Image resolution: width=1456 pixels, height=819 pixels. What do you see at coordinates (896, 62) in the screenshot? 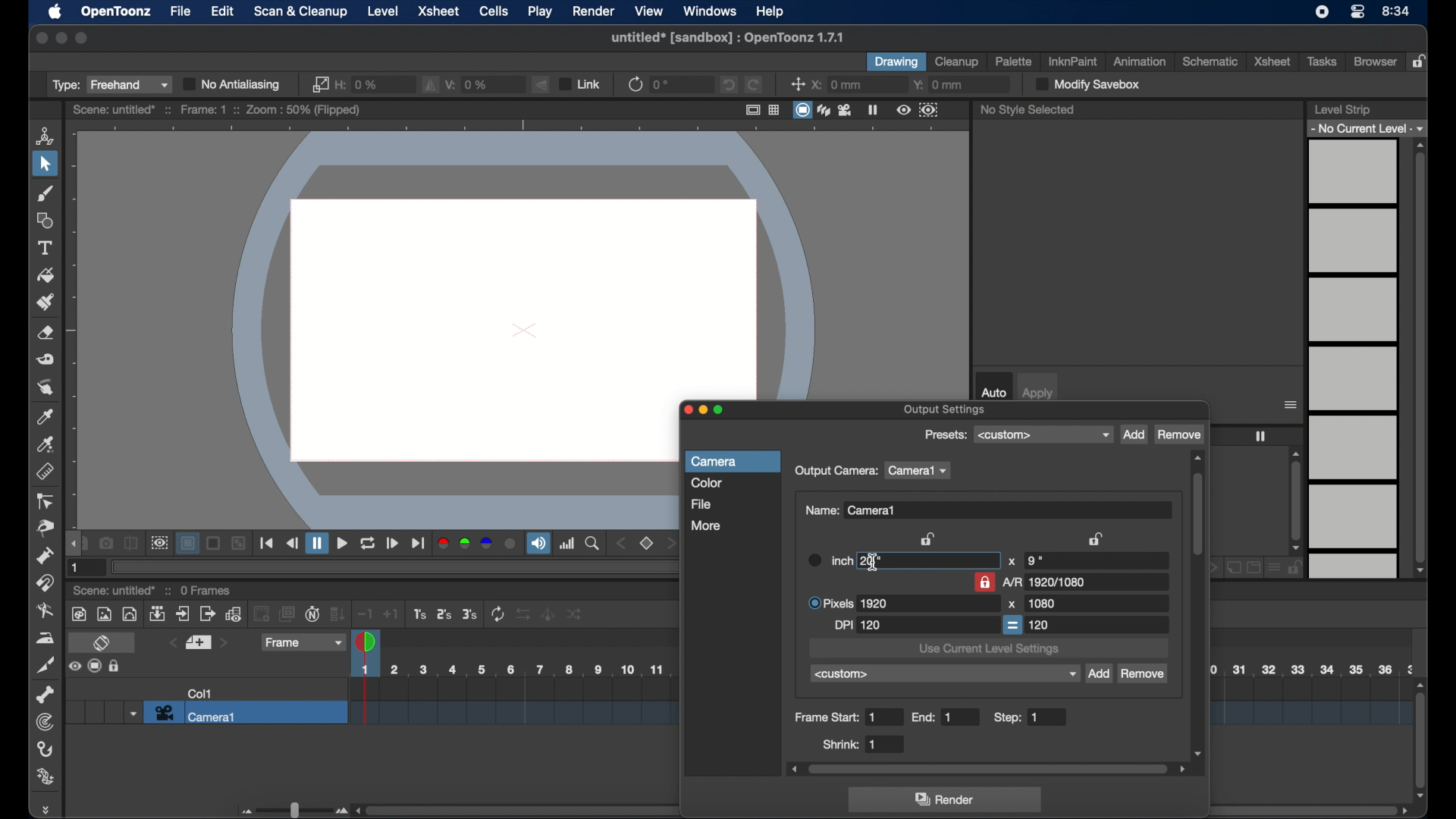
I see `drawing` at bounding box center [896, 62].